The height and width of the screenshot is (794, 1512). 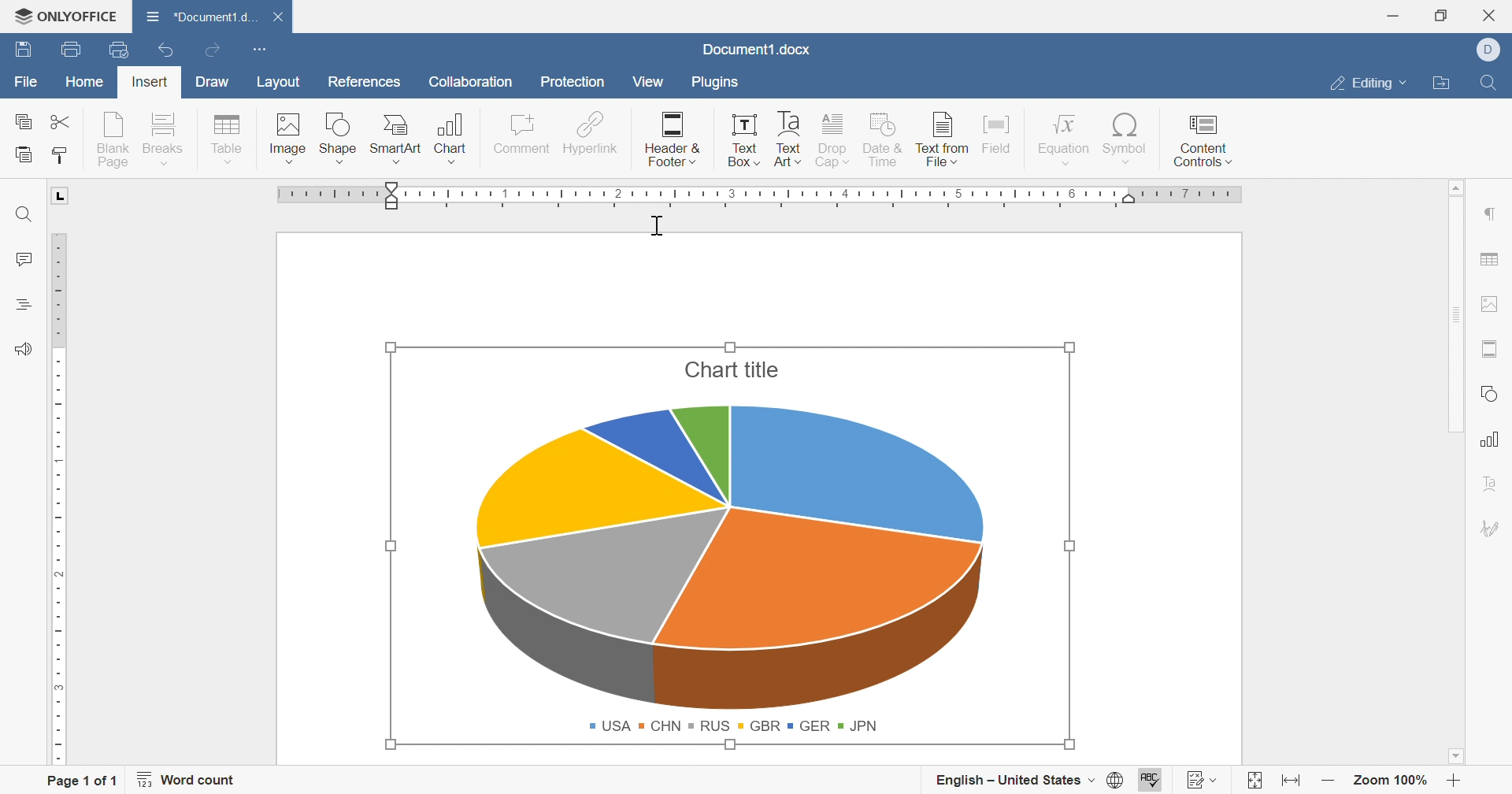 I want to click on Close, so click(x=1491, y=15).